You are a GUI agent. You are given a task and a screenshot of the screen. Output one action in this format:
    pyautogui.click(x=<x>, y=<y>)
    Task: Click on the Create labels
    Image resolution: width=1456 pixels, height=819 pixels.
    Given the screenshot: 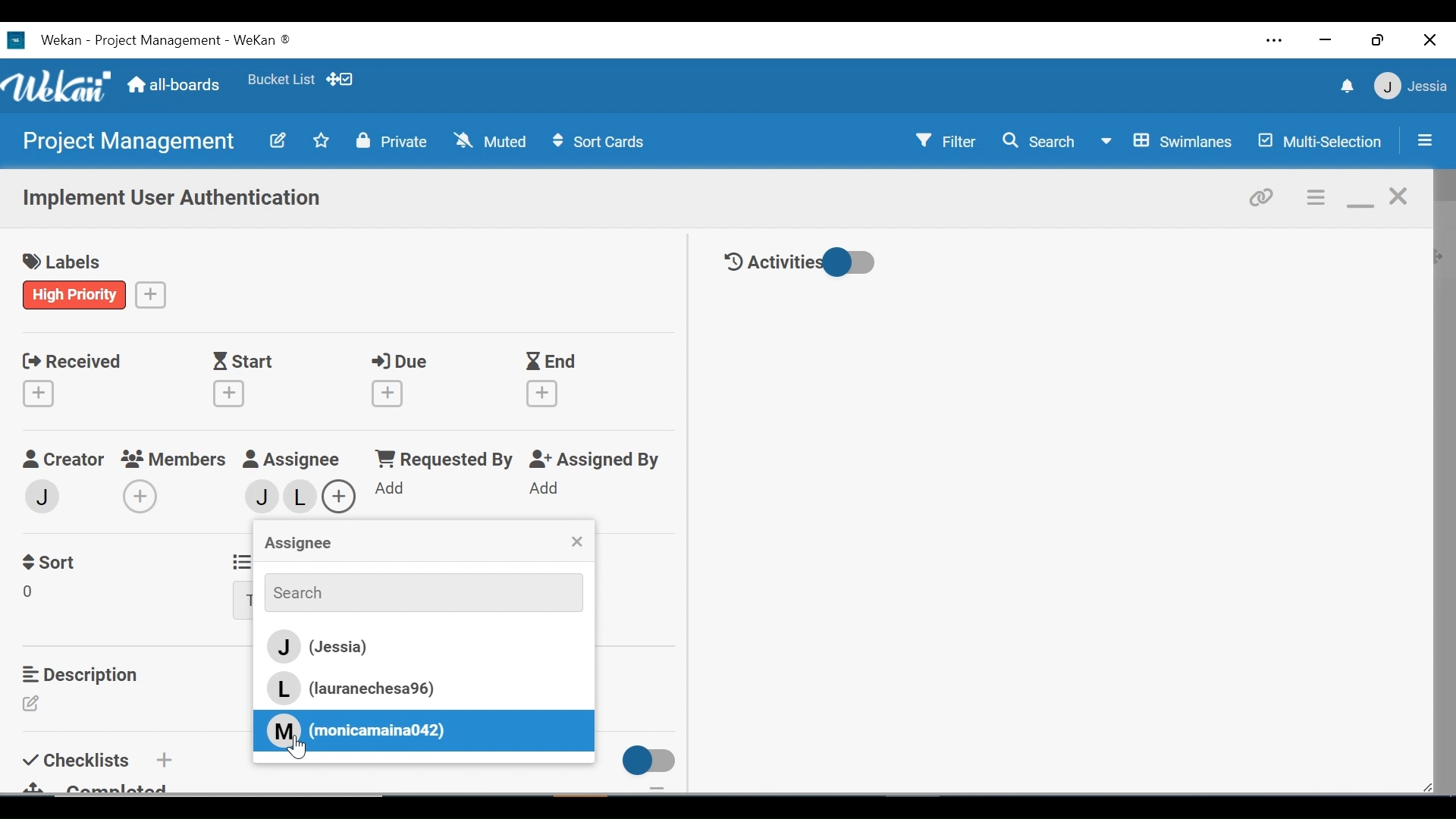 What is the action you would take?
    pyautogui.click(x=151, y=293)
    